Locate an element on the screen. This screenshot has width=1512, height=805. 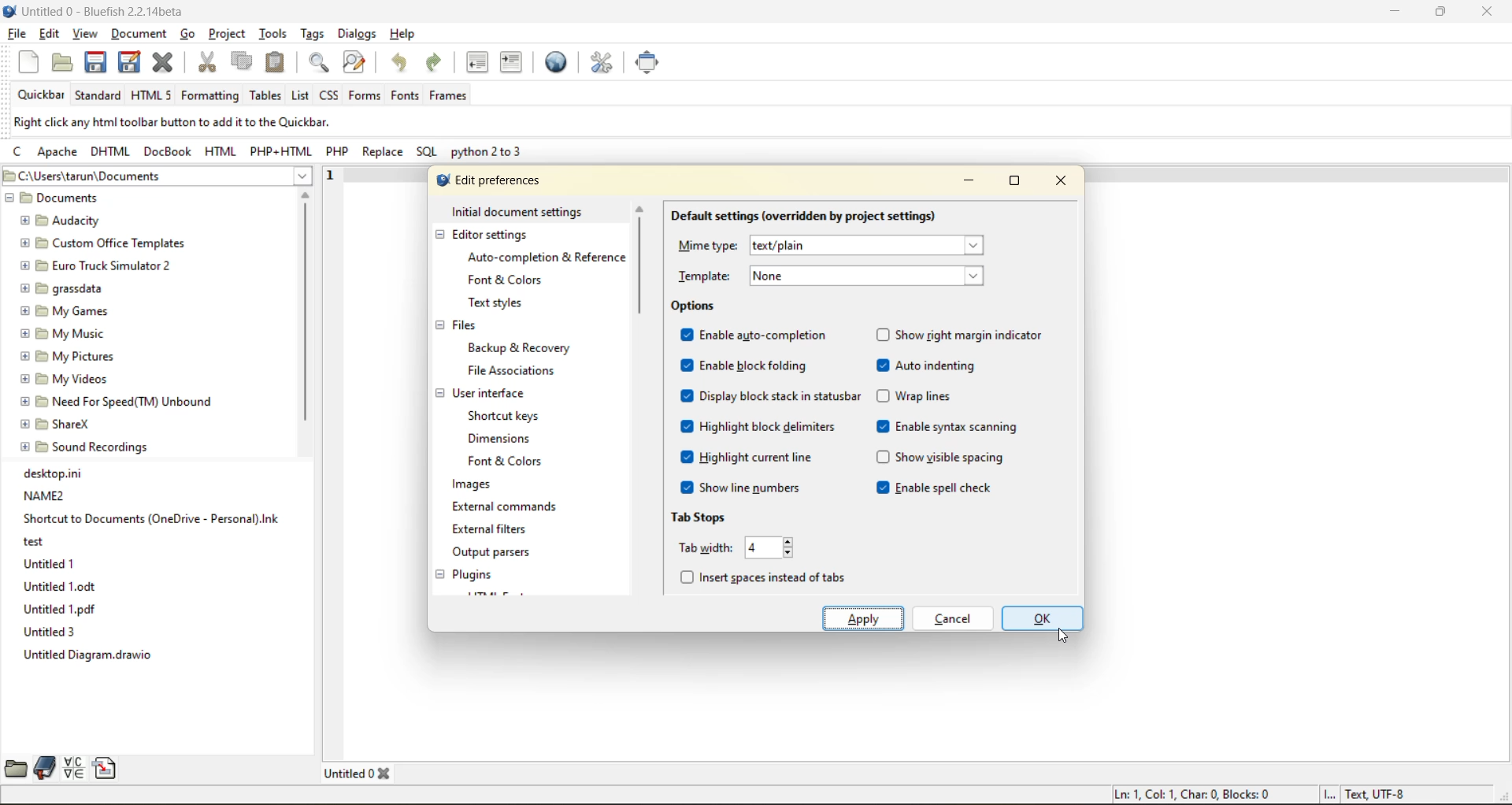
formatting is located at coordinates (210, 97).